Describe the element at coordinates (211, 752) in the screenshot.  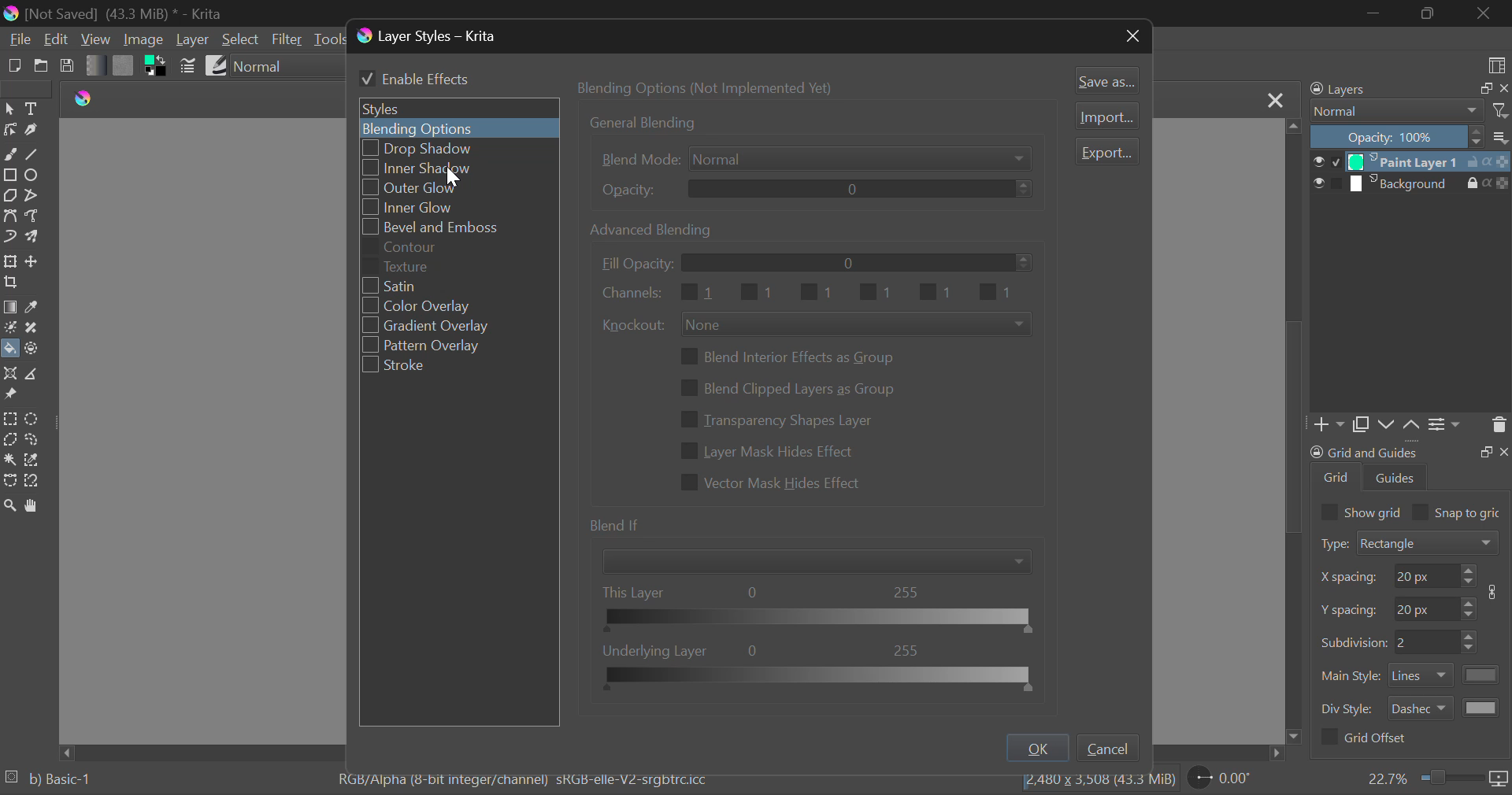
I see `Scroll Bar` at that location.